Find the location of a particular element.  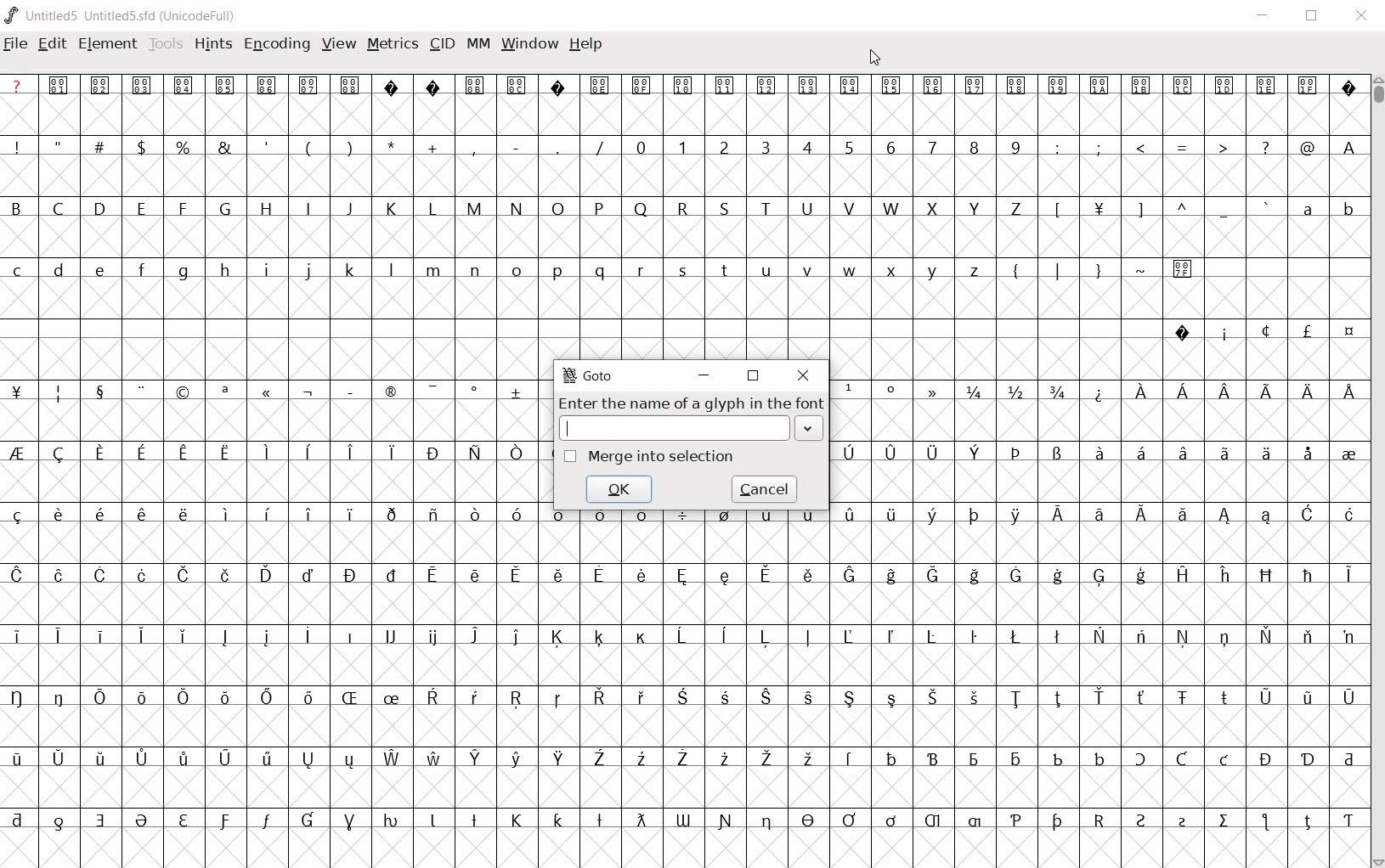

Symbol is located at coordinates (1183, 87).